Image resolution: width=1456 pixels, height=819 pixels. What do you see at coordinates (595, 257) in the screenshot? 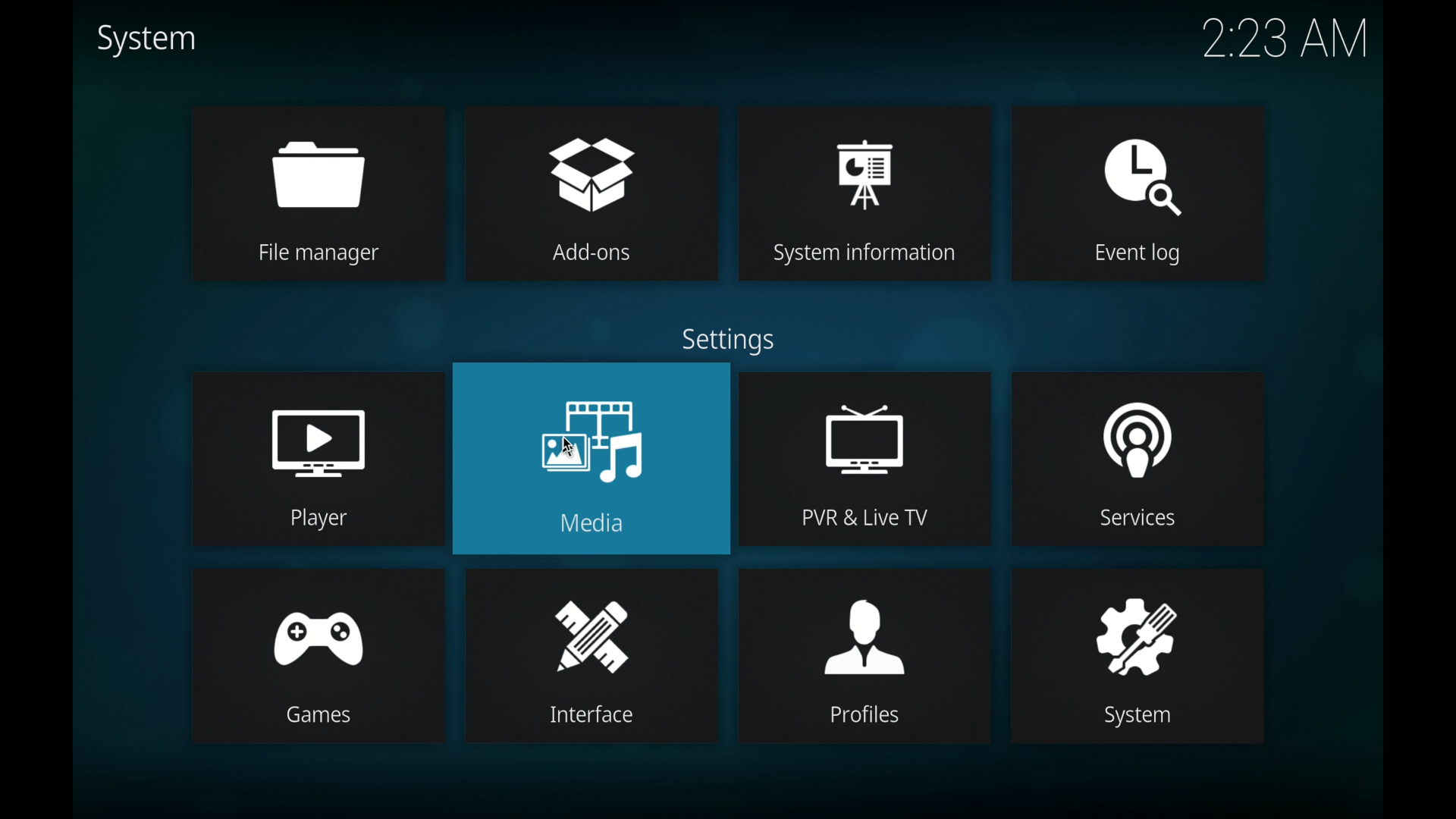
I see `Add-ons` at bounding box center [595, 257].